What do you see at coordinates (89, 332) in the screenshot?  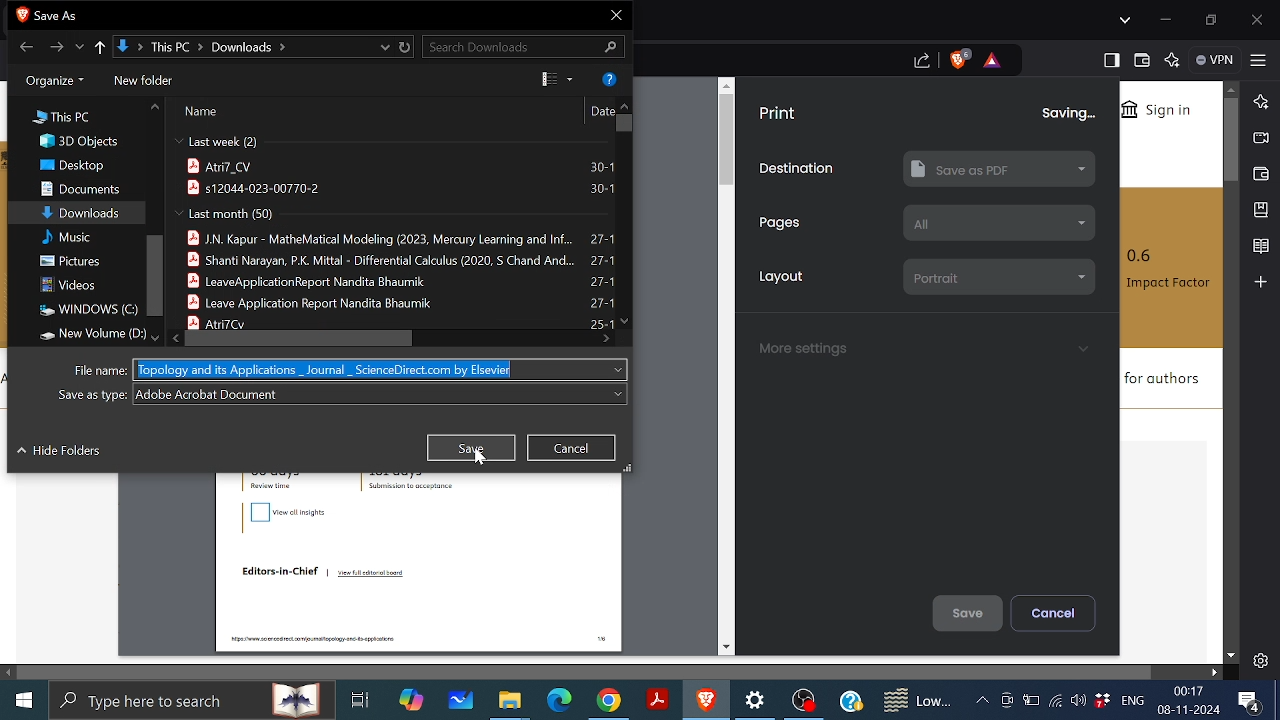 I see `New volume (D:)` at bounding box center [89, 332].